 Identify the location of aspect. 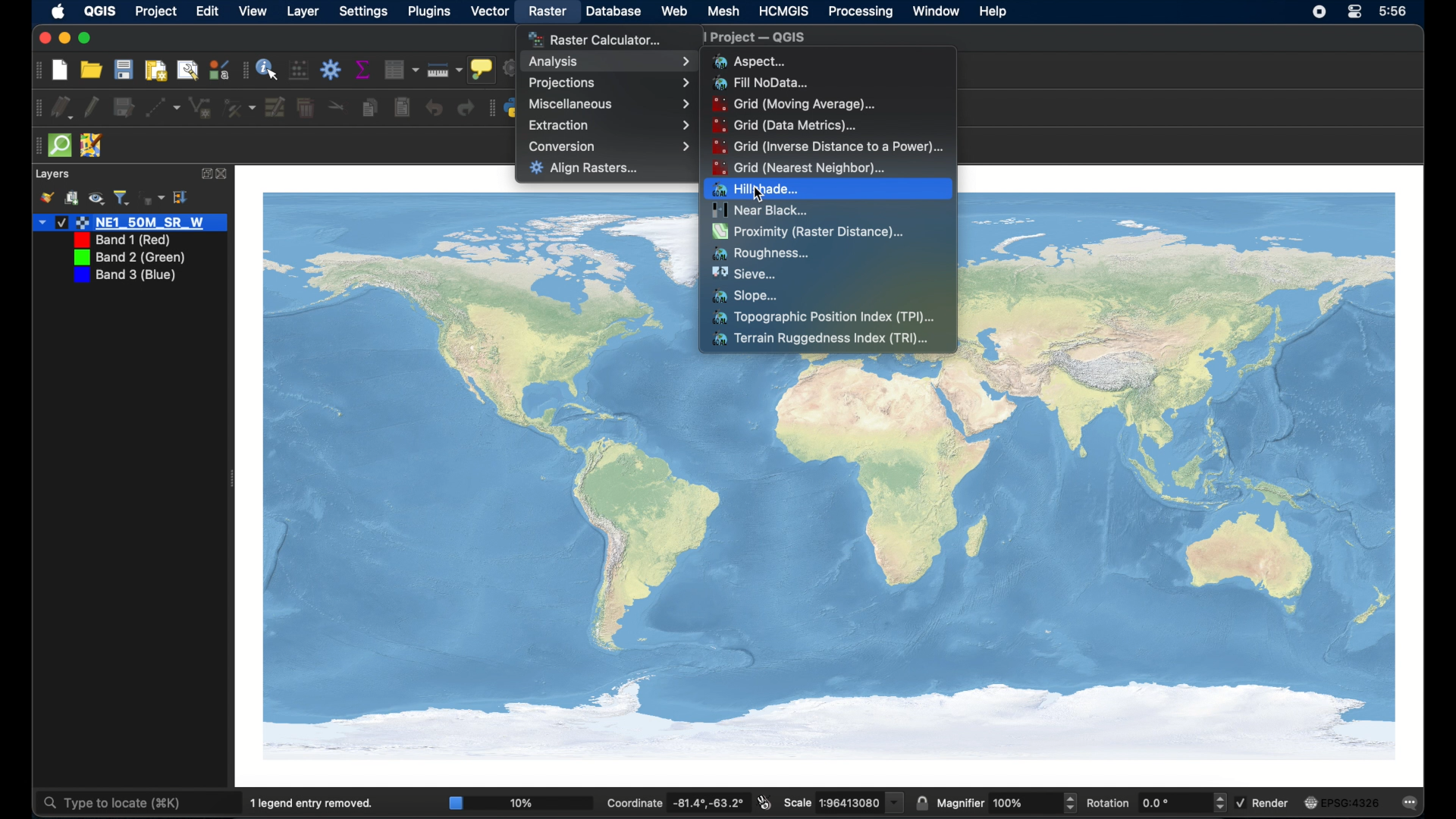
(748, 61).